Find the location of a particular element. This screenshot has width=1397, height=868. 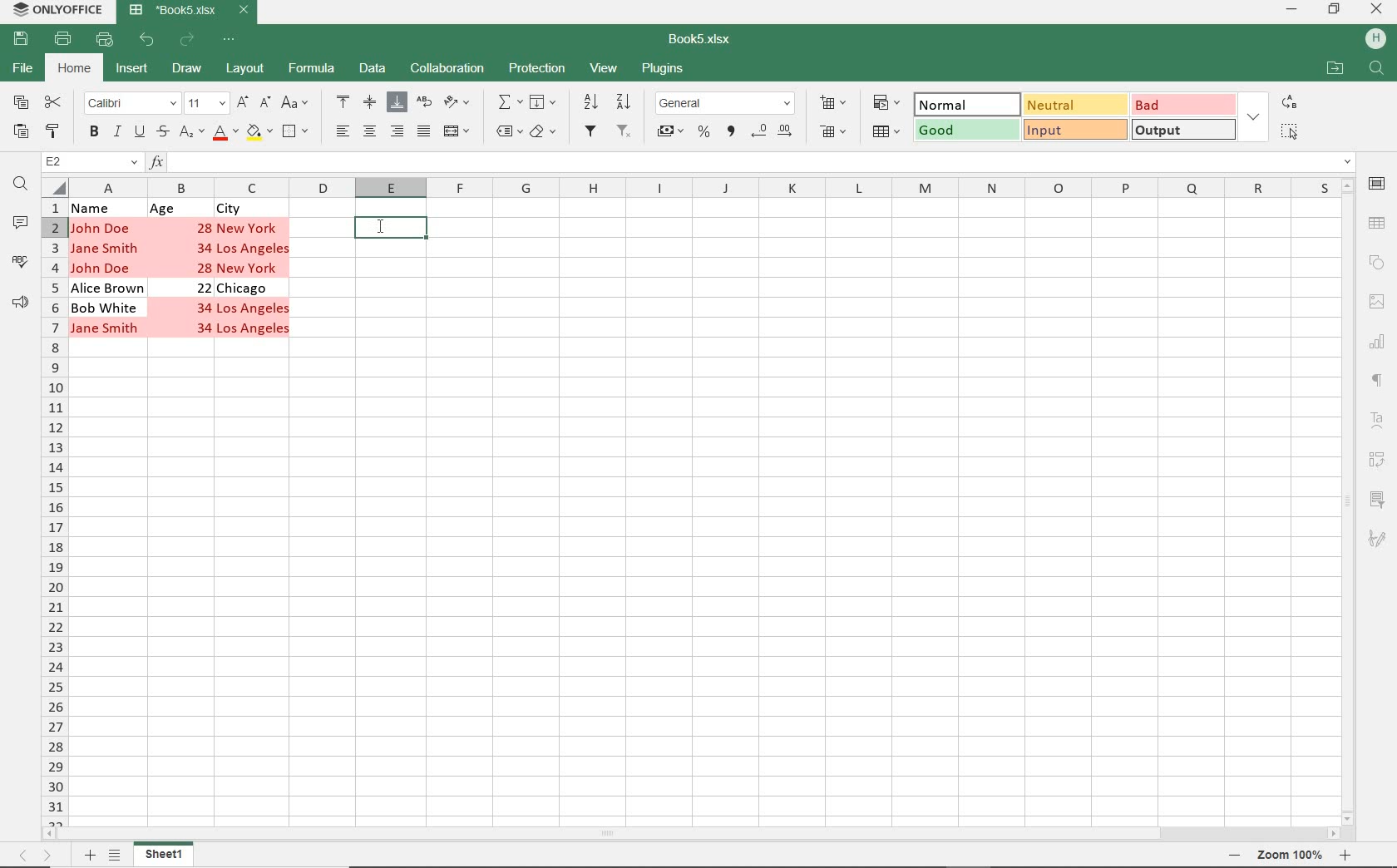

PRINT is located at coordinates (65, 38).